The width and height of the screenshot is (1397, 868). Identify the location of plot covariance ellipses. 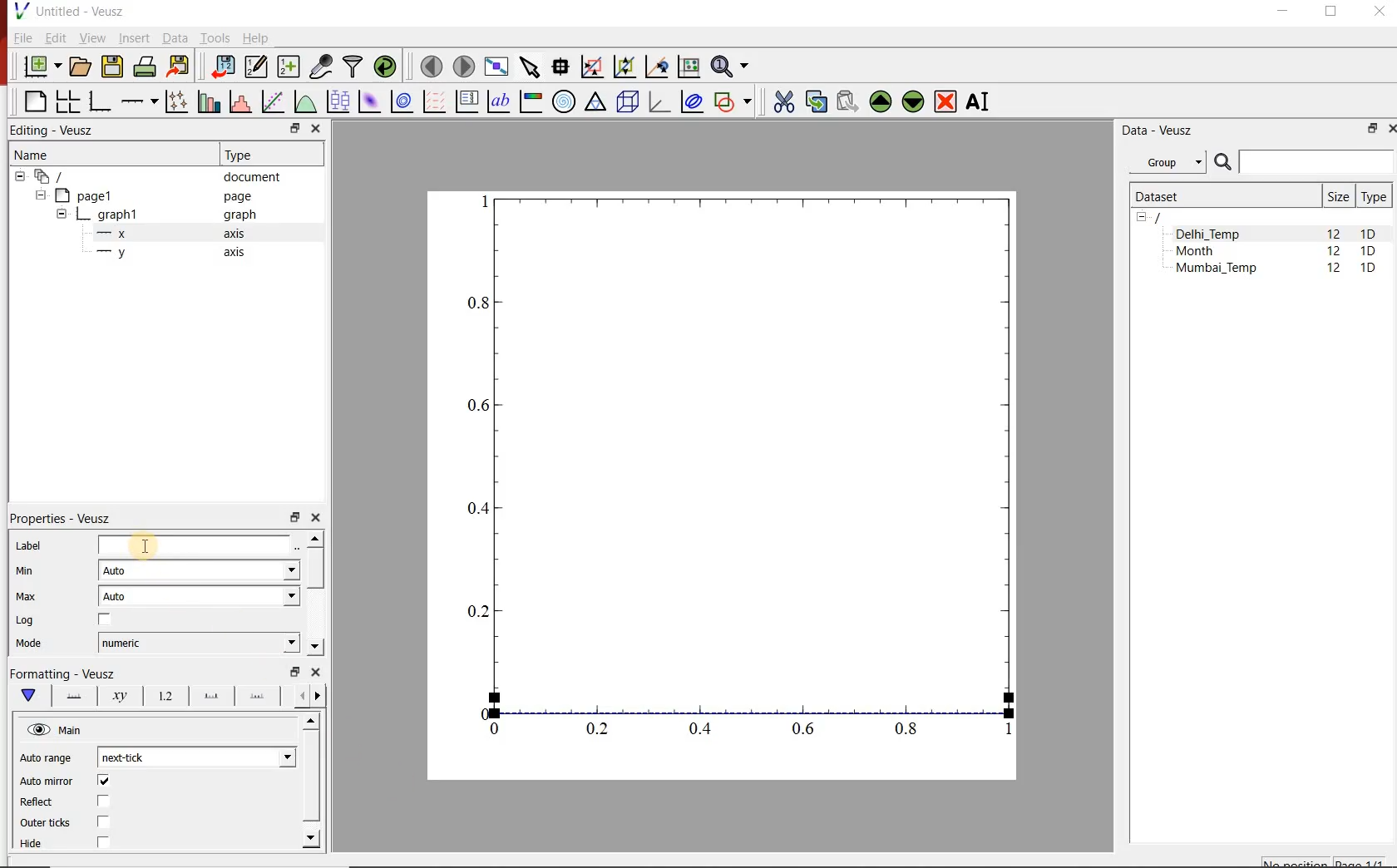
(692, 101).